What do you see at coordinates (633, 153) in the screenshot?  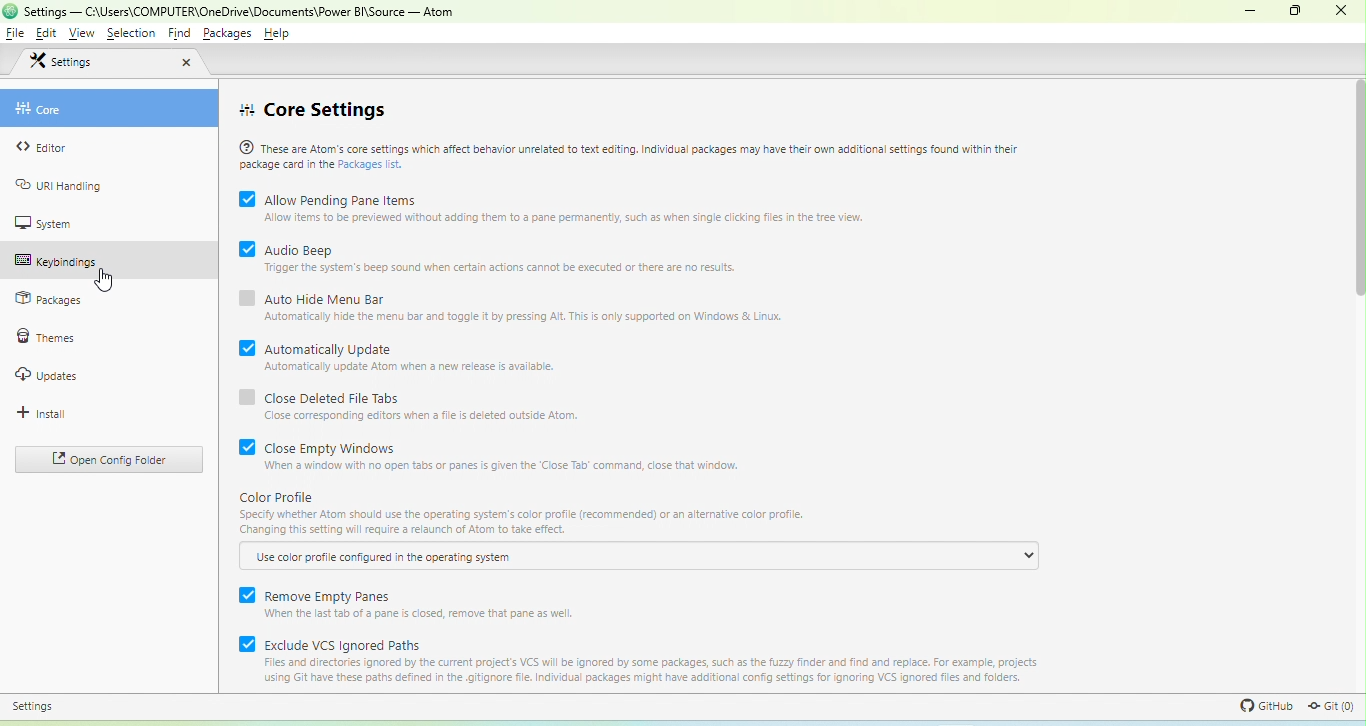 I see `® These are Atoms core settings which affect behavior unrelated to text eqting. Individual packages may have ther own additional settings found within their
‘package card in the Packages list.` at bounding box center [633, 153].